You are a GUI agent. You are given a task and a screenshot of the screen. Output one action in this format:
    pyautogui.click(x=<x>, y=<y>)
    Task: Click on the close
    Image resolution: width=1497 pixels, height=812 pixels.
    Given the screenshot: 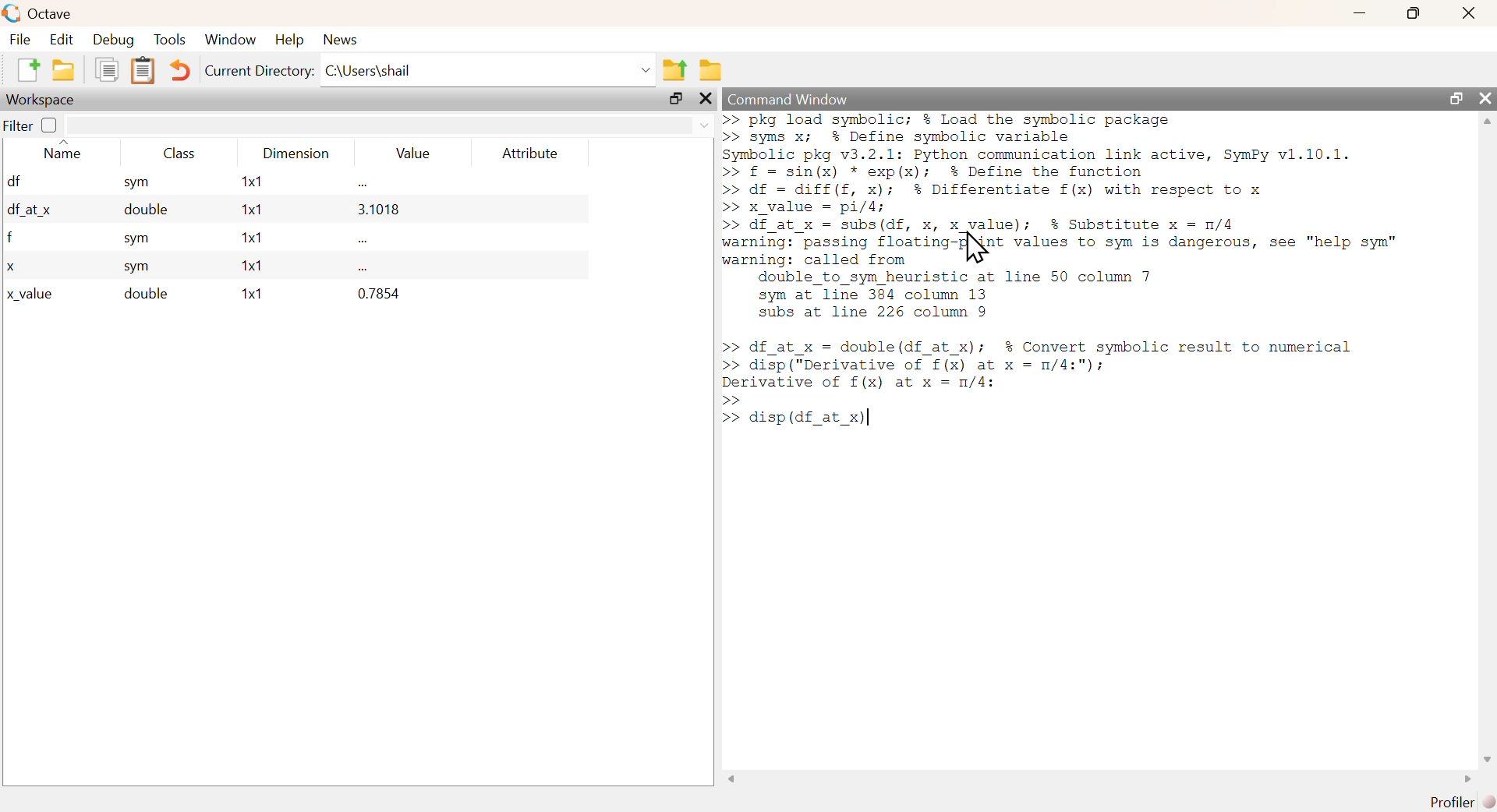 What is the action you would take?
    pyautogui.click(x=704, y=98)
    